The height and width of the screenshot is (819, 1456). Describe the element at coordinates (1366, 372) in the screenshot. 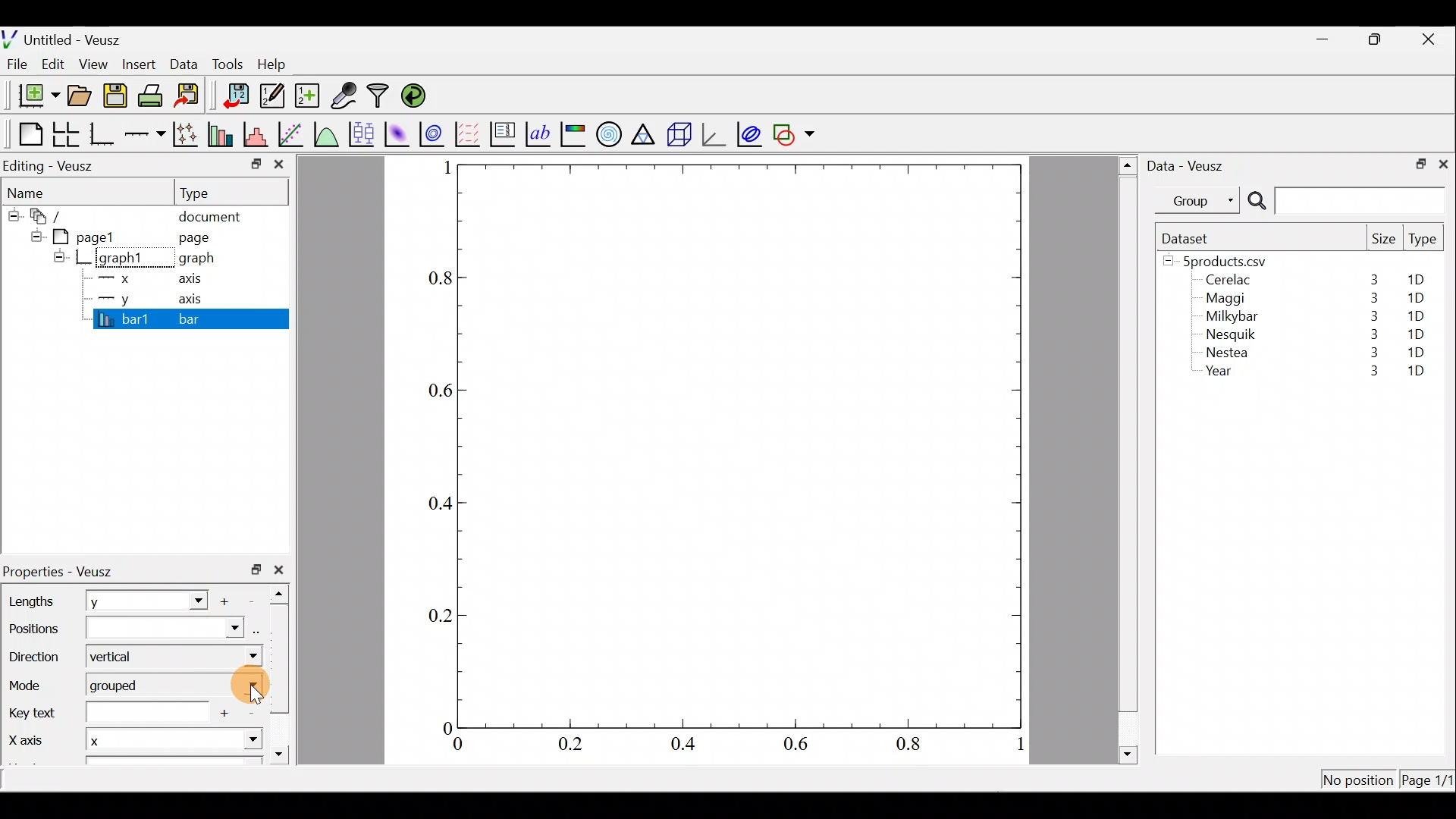

I see `3` at that location.